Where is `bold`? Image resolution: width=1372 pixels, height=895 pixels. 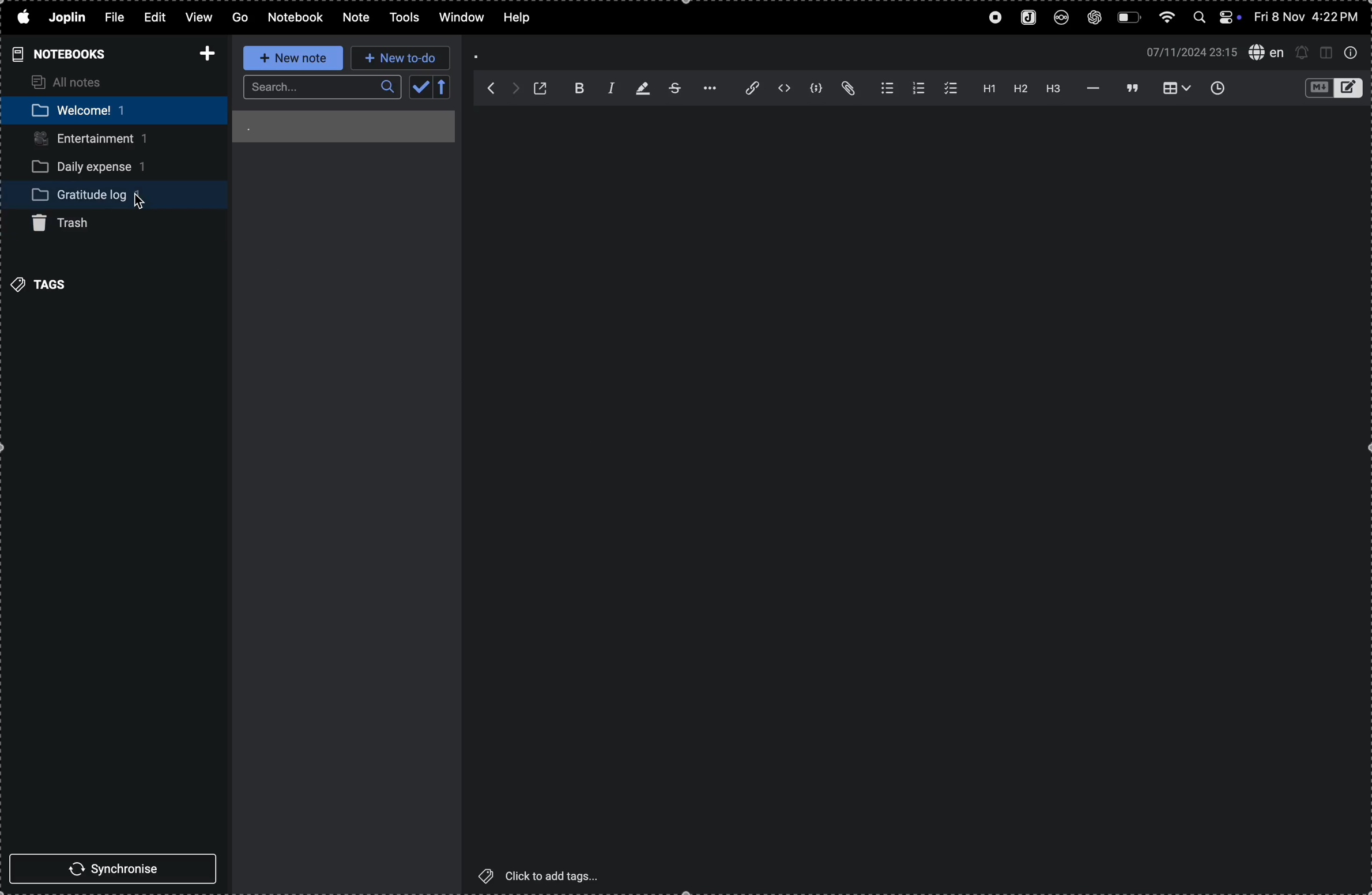
bold is located at coordinates (574, 87).